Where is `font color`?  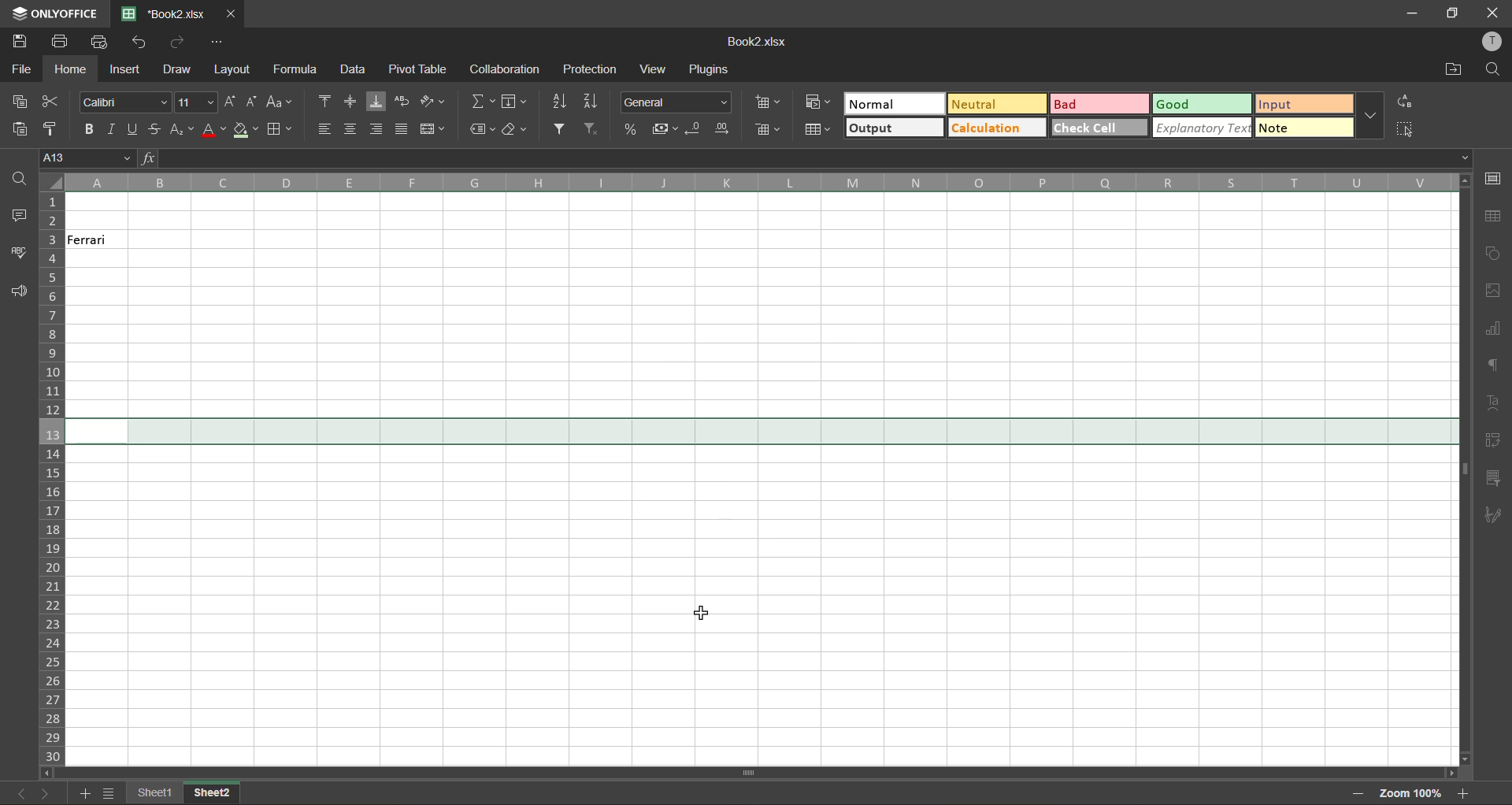
font color is located at coordinates (213, 131).